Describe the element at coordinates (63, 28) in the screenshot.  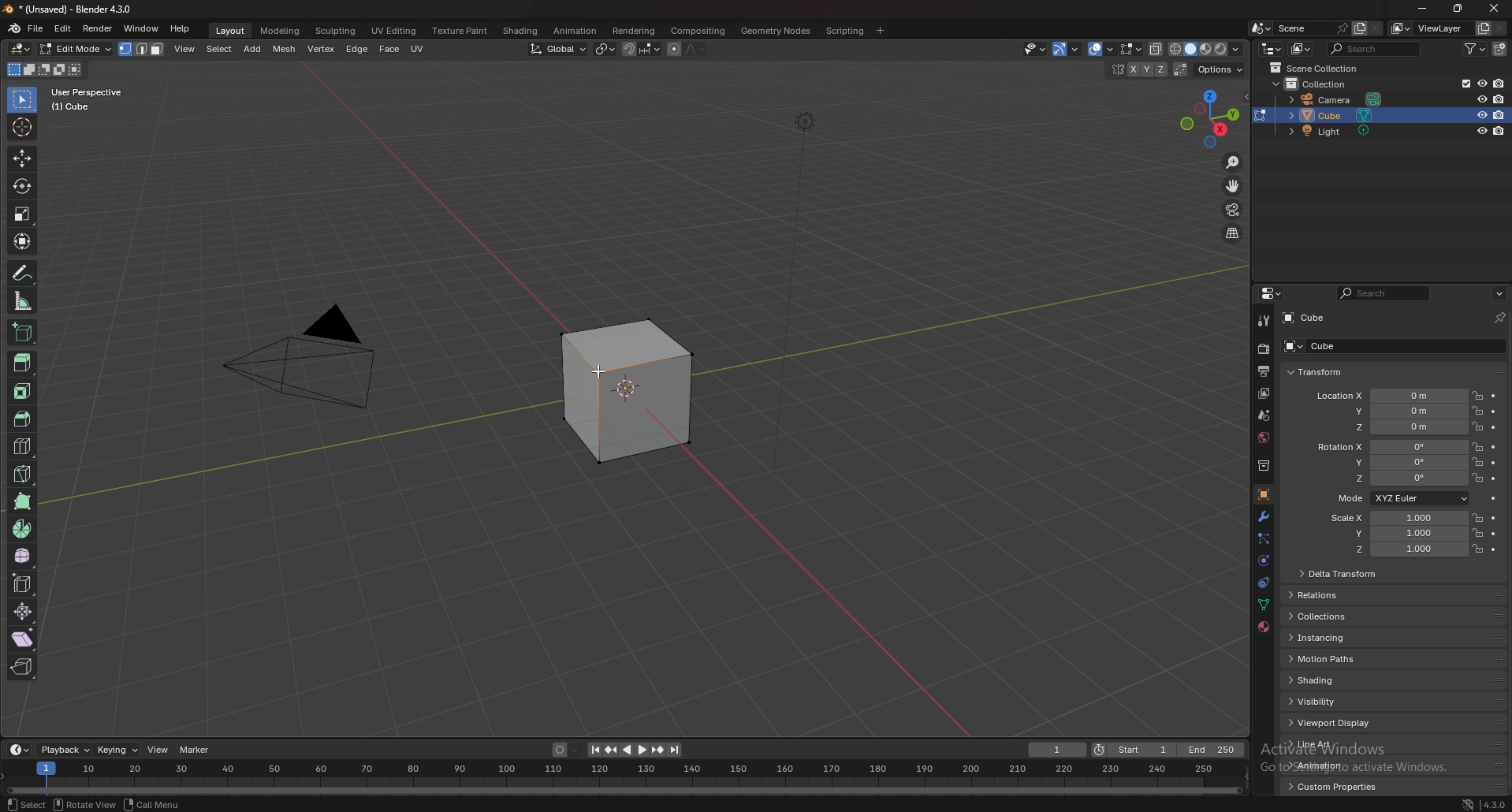
I see `edit` at that location.